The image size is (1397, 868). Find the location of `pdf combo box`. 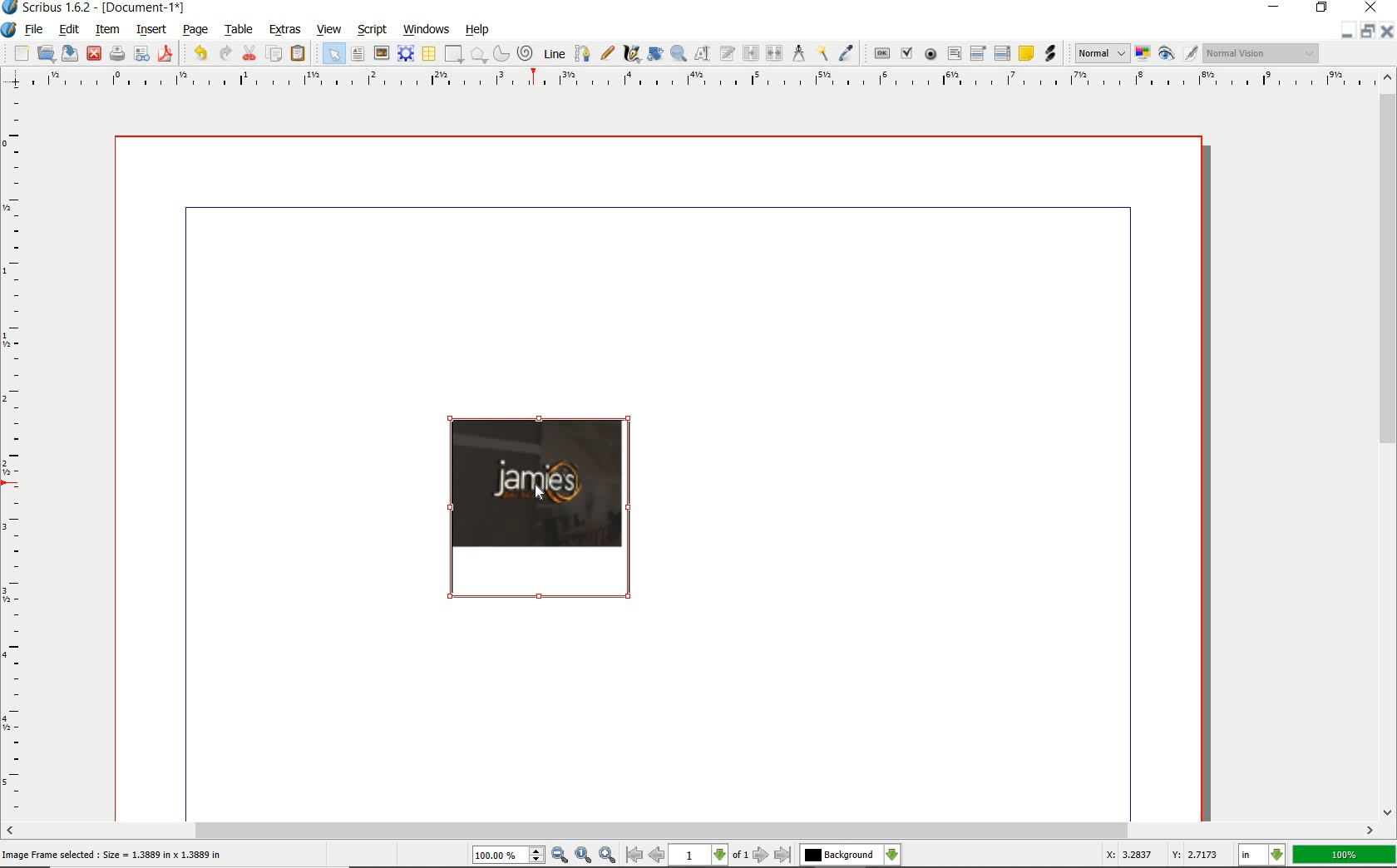

pdf combo box is located at coordinates (975, 53).